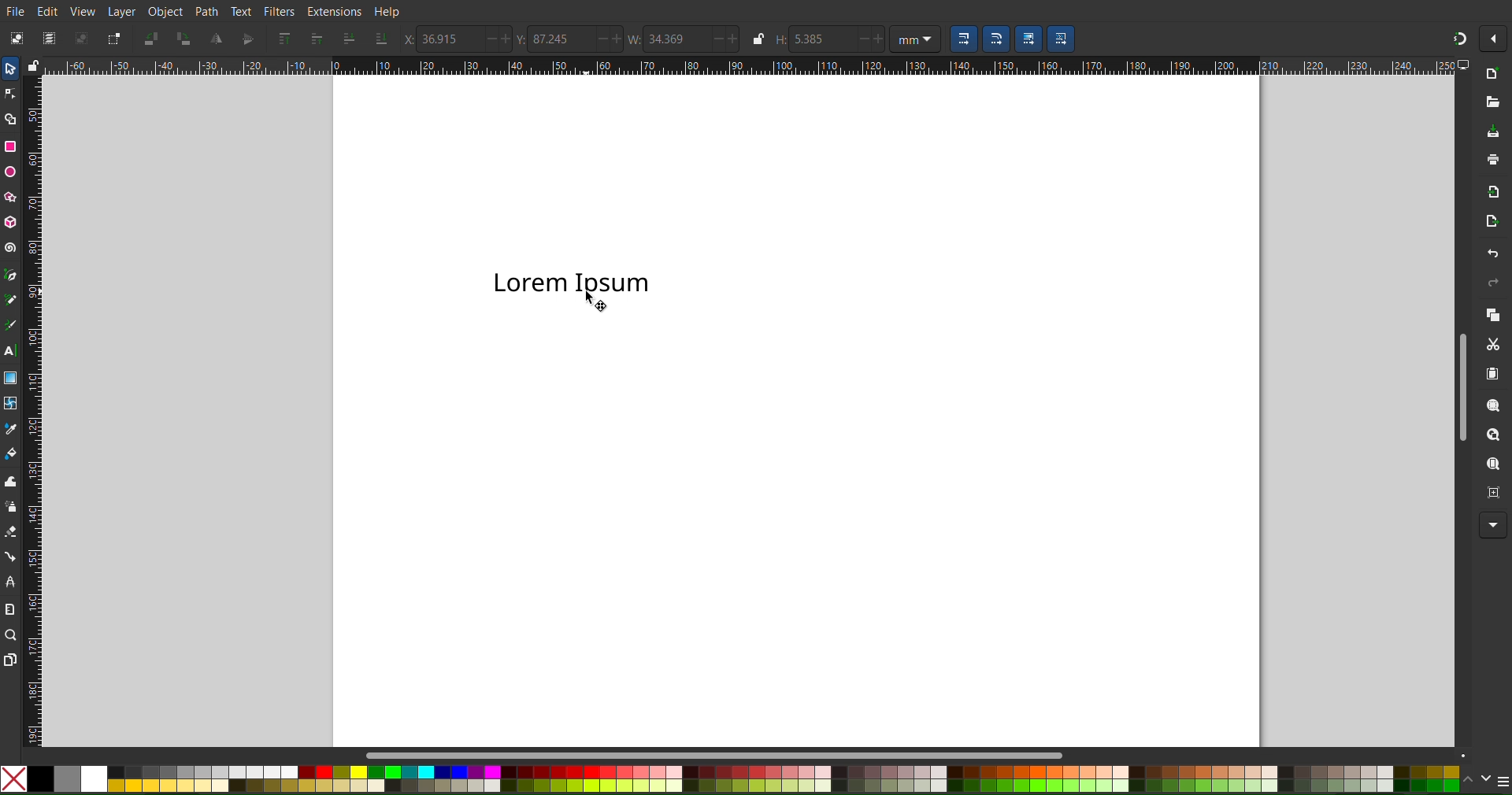  Describe the element at coordinates (1489, 780) in the screenshot. I see `Color Options` at that location.